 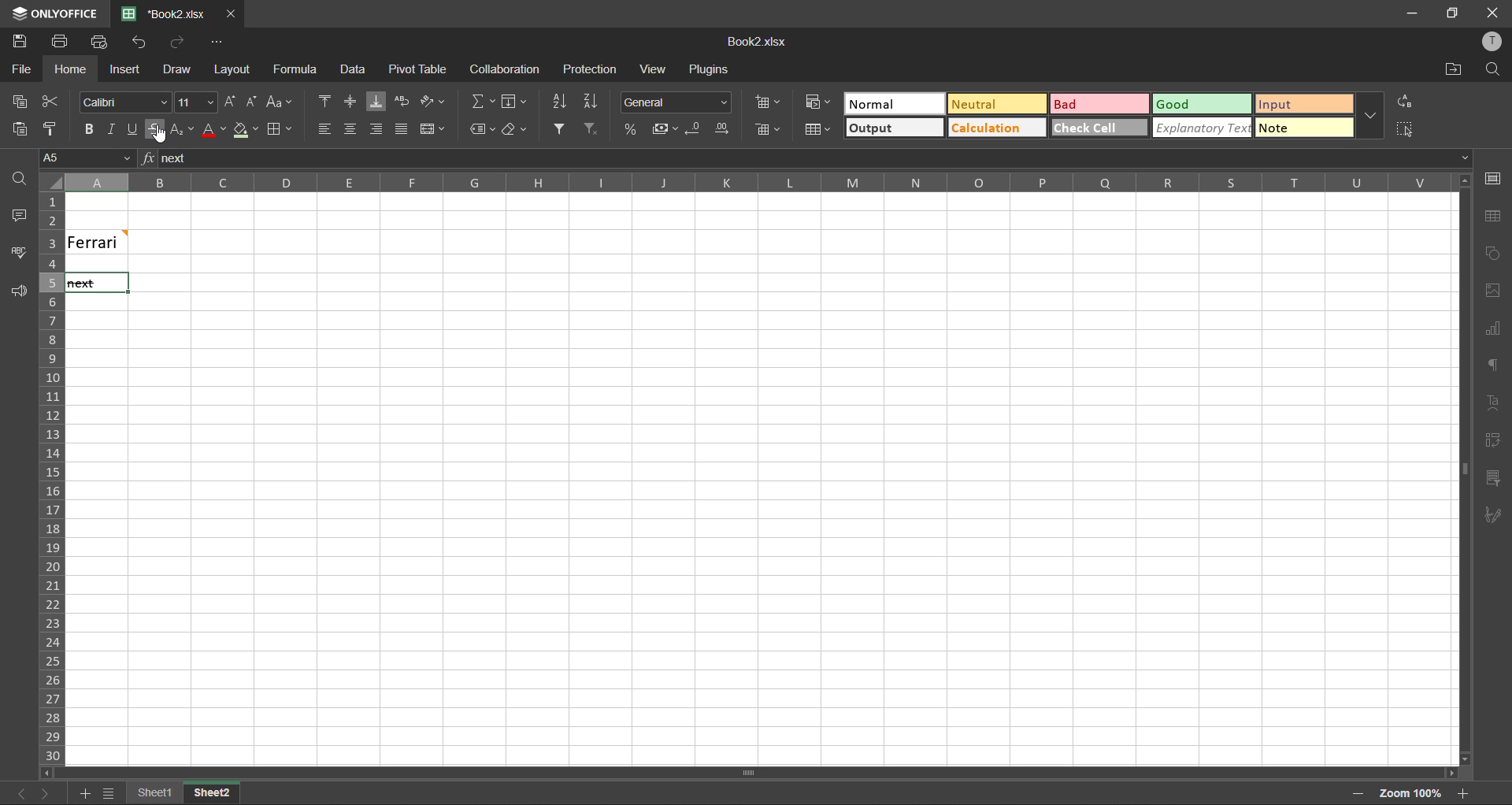 I want to click on plugins, so click(x=713, y=69).